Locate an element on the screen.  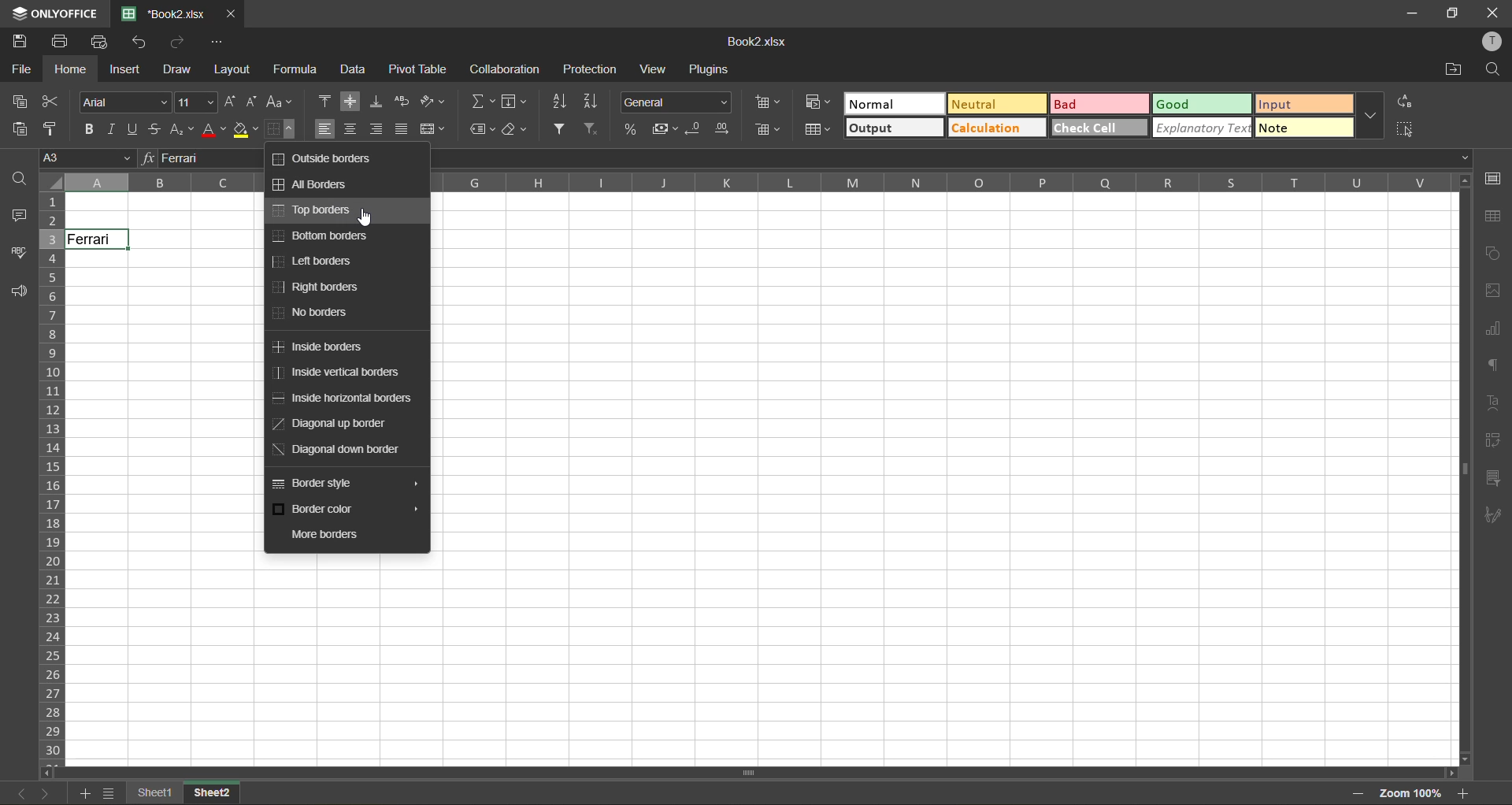
previous is located at coordinates (17, 793).